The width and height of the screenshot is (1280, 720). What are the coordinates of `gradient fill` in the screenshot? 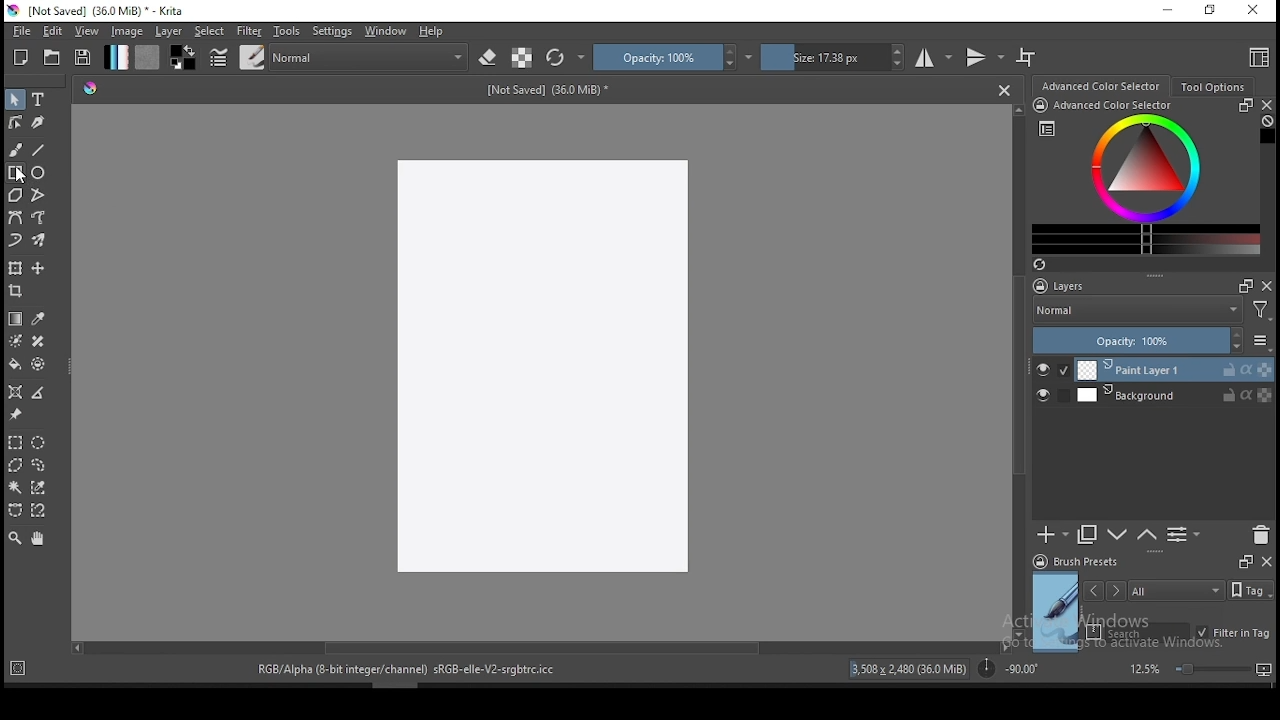 It's located at (116, 57).